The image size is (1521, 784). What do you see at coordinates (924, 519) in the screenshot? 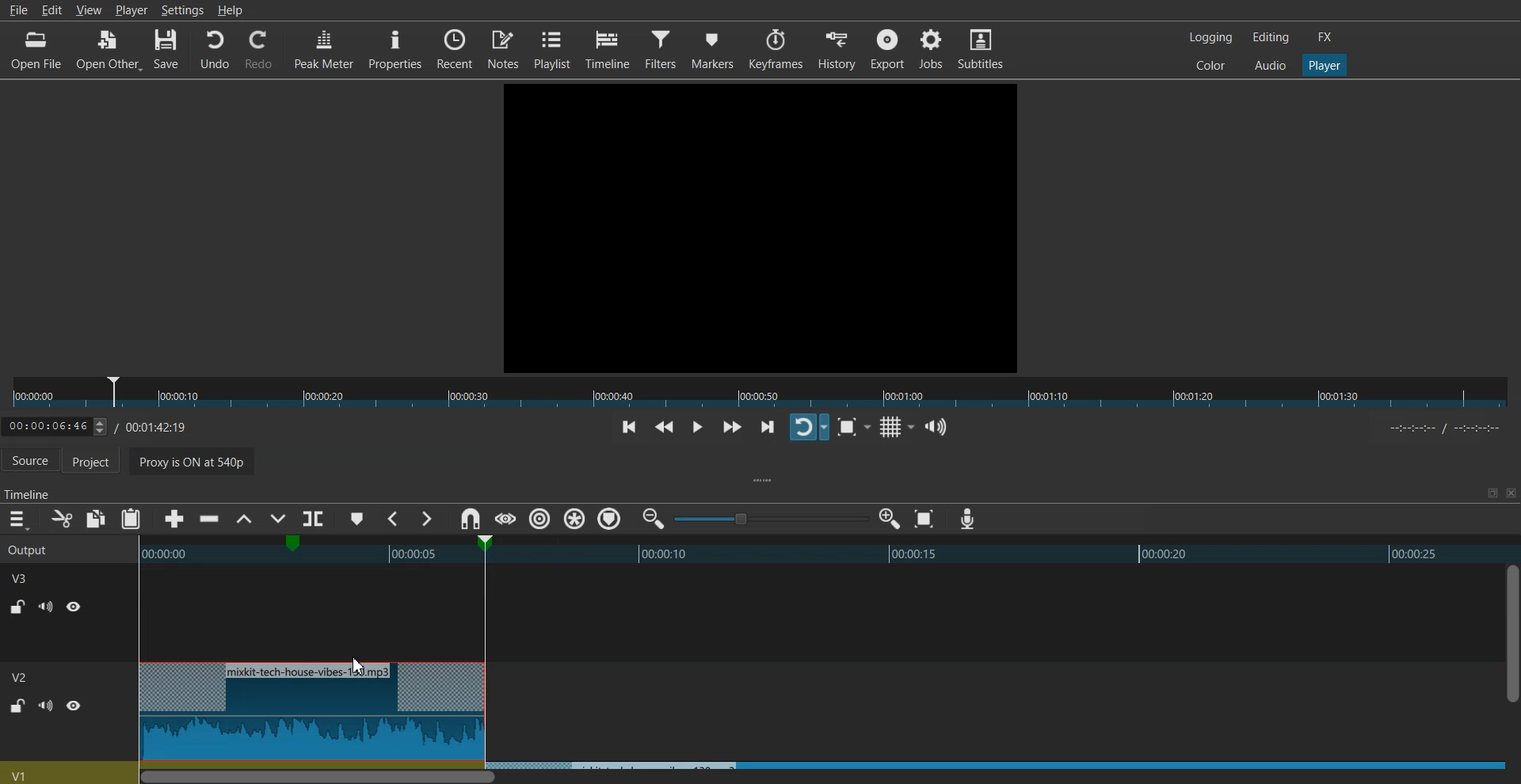
I see `Zoom timeline to Fit` at bounding box center [924, 519].